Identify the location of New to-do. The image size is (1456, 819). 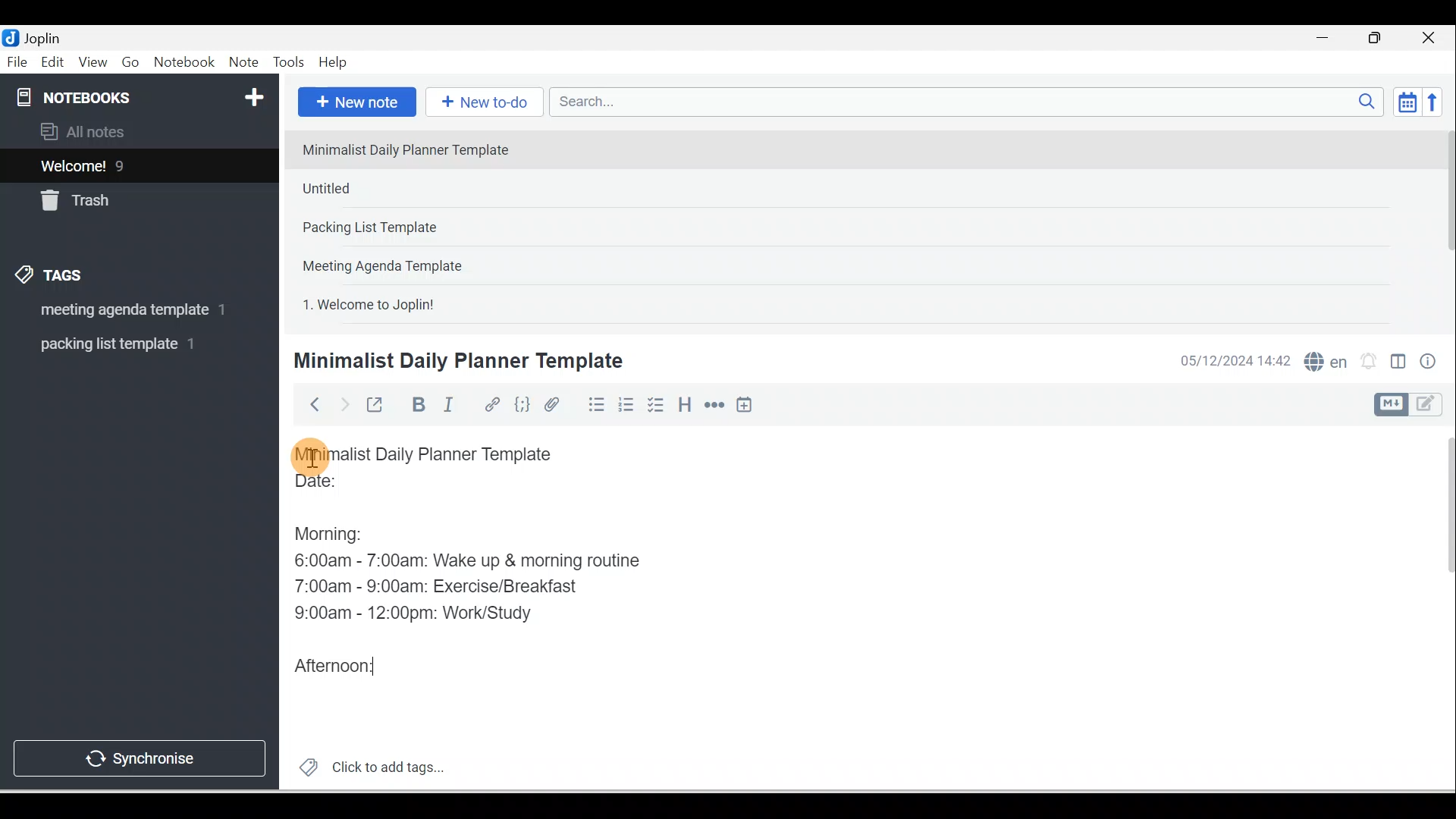
(481, 103).